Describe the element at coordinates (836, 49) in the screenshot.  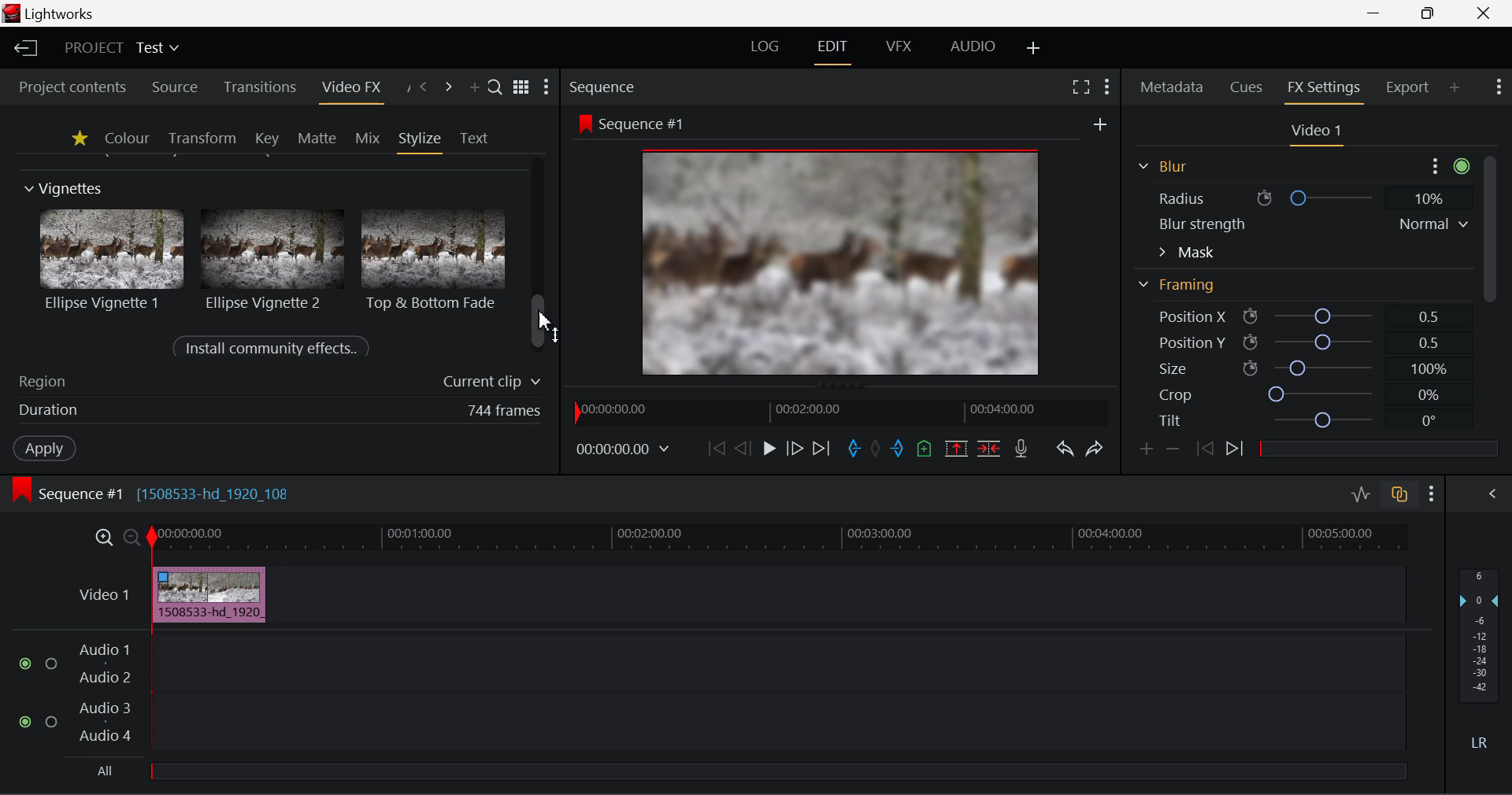
I see `Edit Layout Open` at that location.